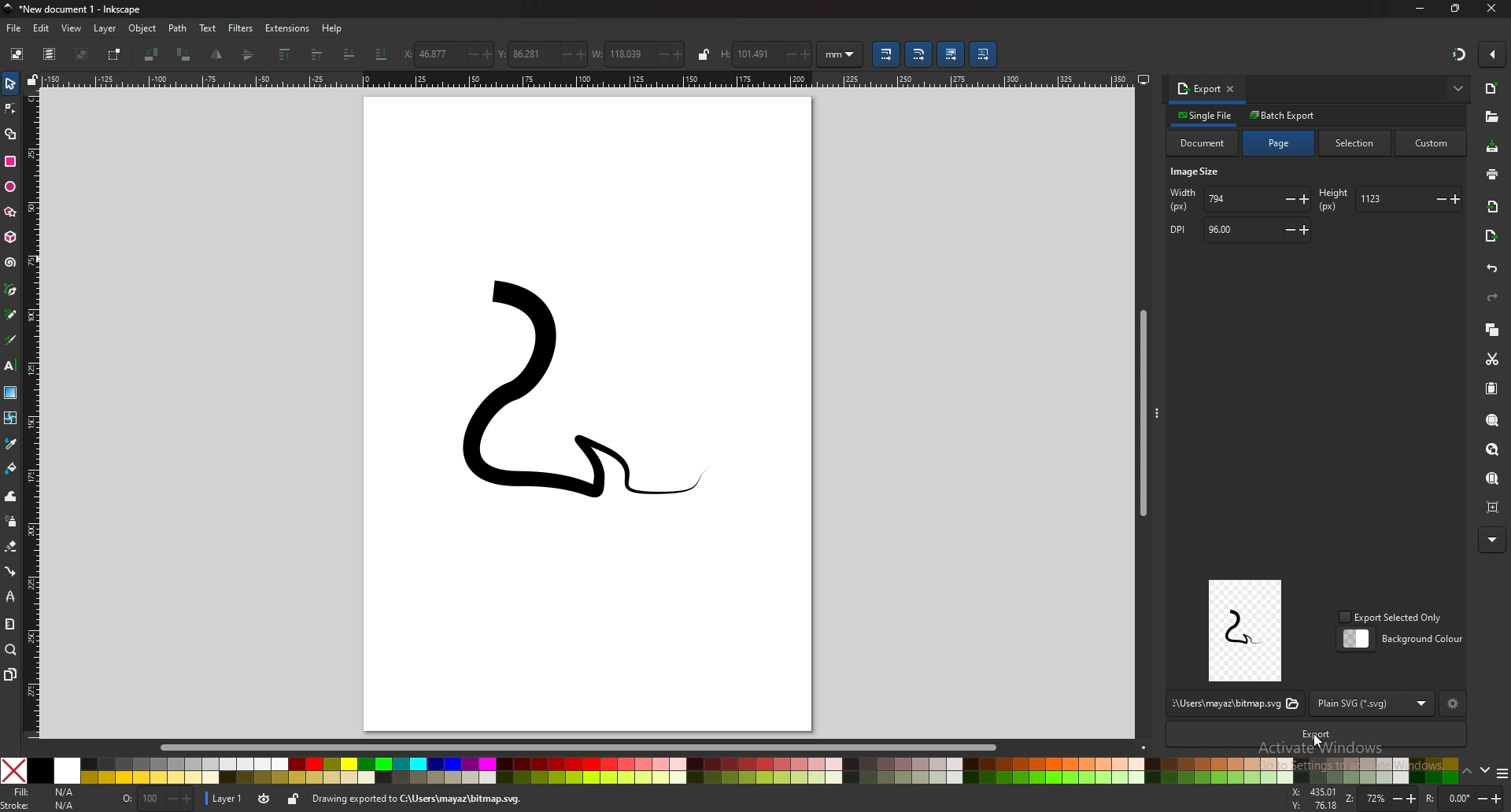 The height and width of the screenshot is (812, 1511). What do you see at coordinates (556, 403) in the screenshot?
I see `drawing` at bounding box center [556, 403].